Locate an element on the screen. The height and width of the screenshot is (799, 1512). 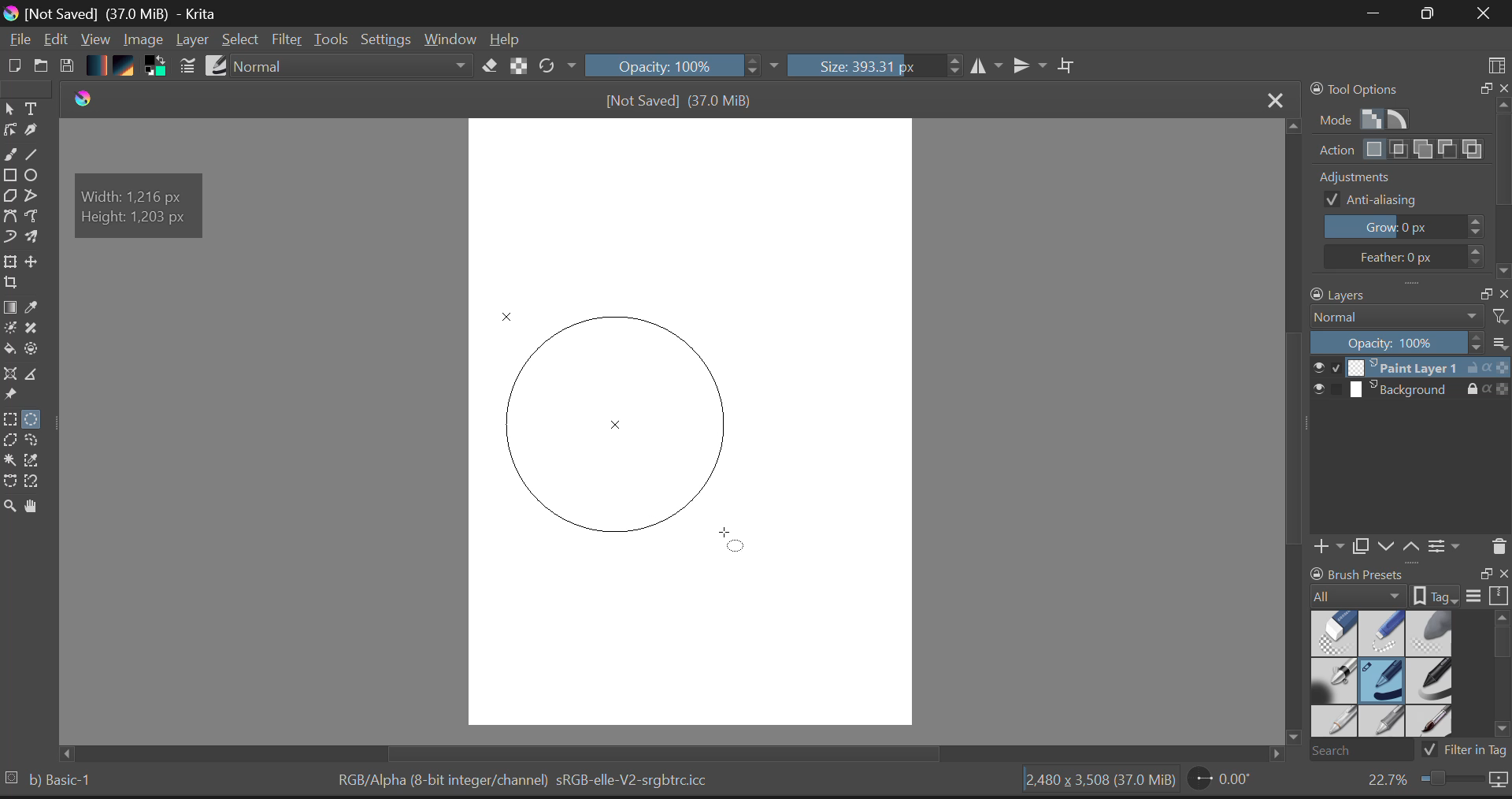
Pattern is located at coordinates (127, 67).